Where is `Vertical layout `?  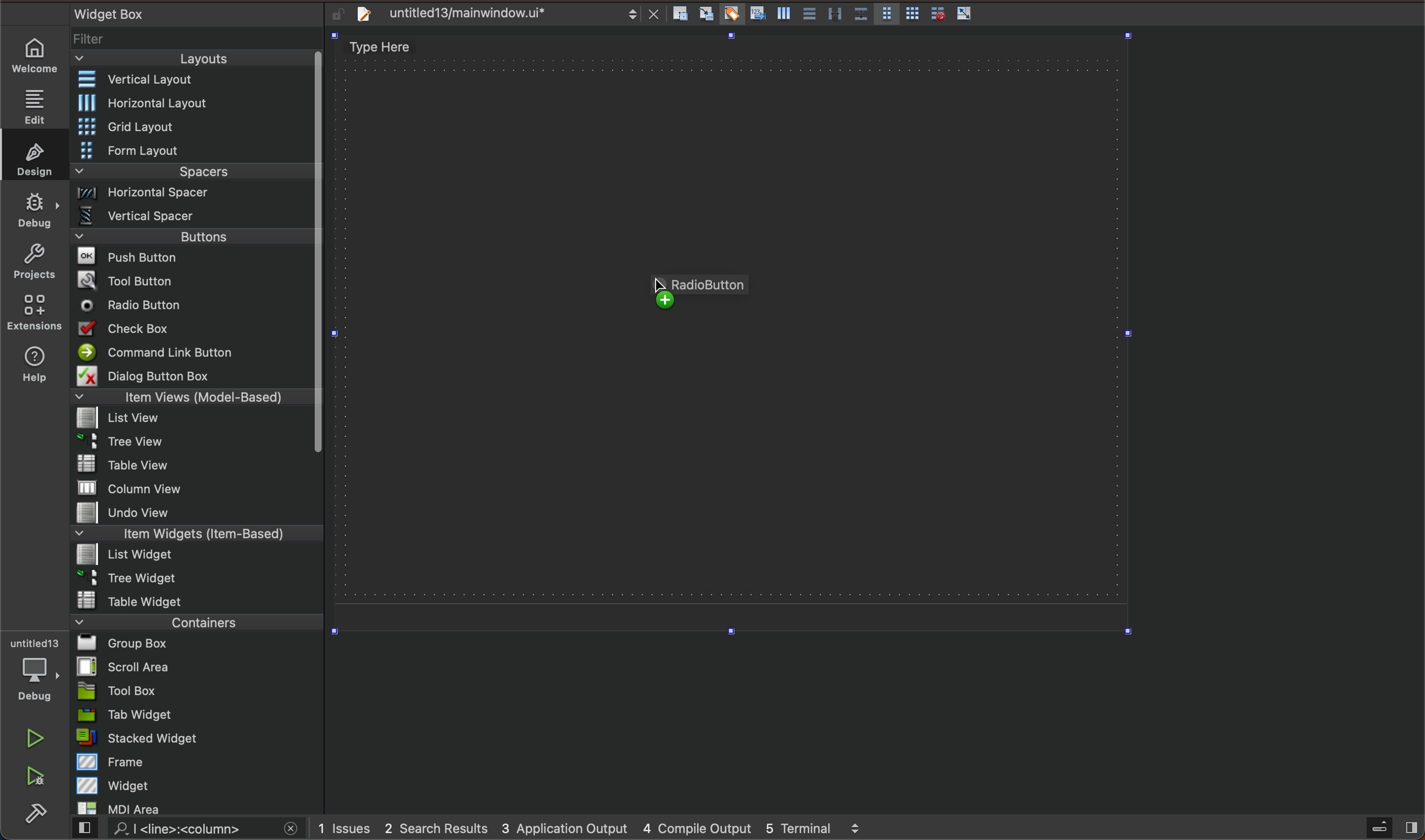 Vertical layout  is located at coordinates (194, 80).